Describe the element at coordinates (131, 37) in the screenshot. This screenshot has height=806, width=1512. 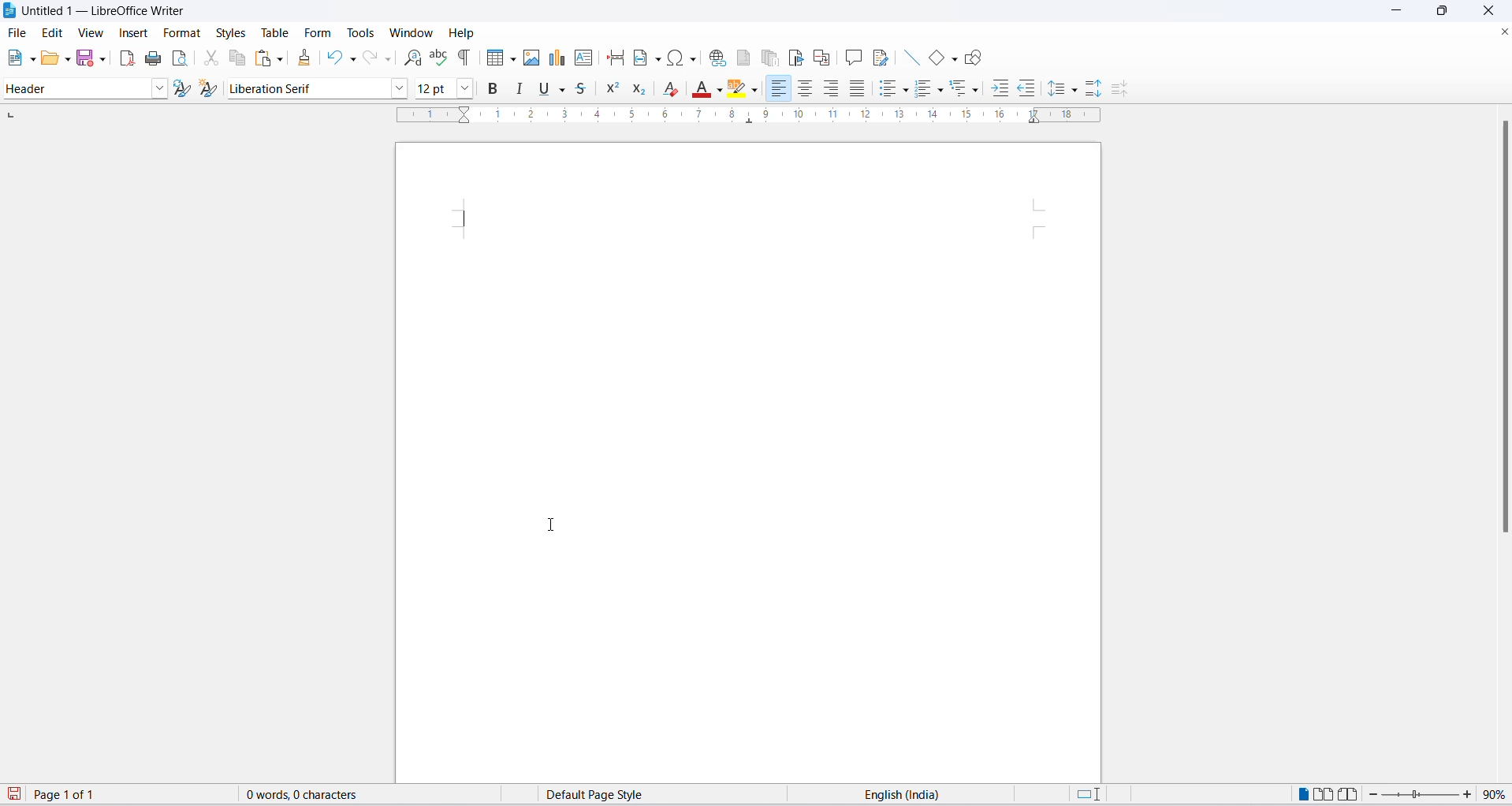
I see `cursor` at that location.